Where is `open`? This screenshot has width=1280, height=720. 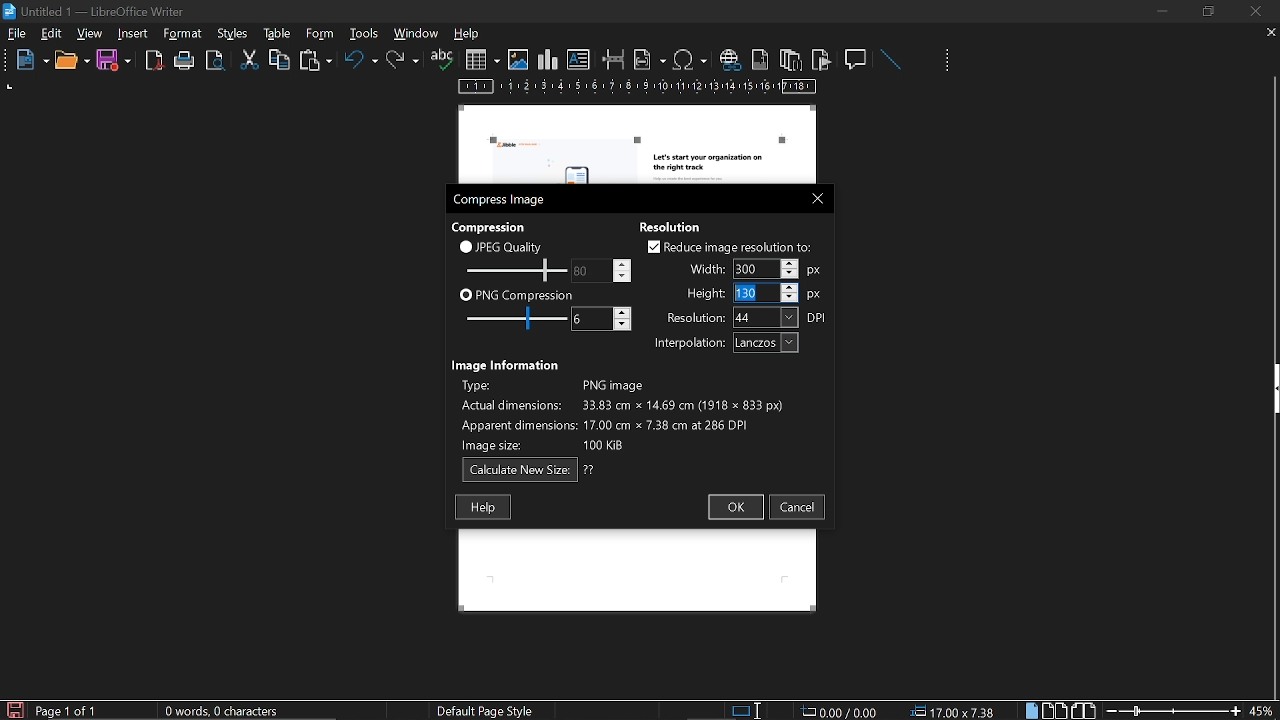
open is located at coordinates (71, 61).